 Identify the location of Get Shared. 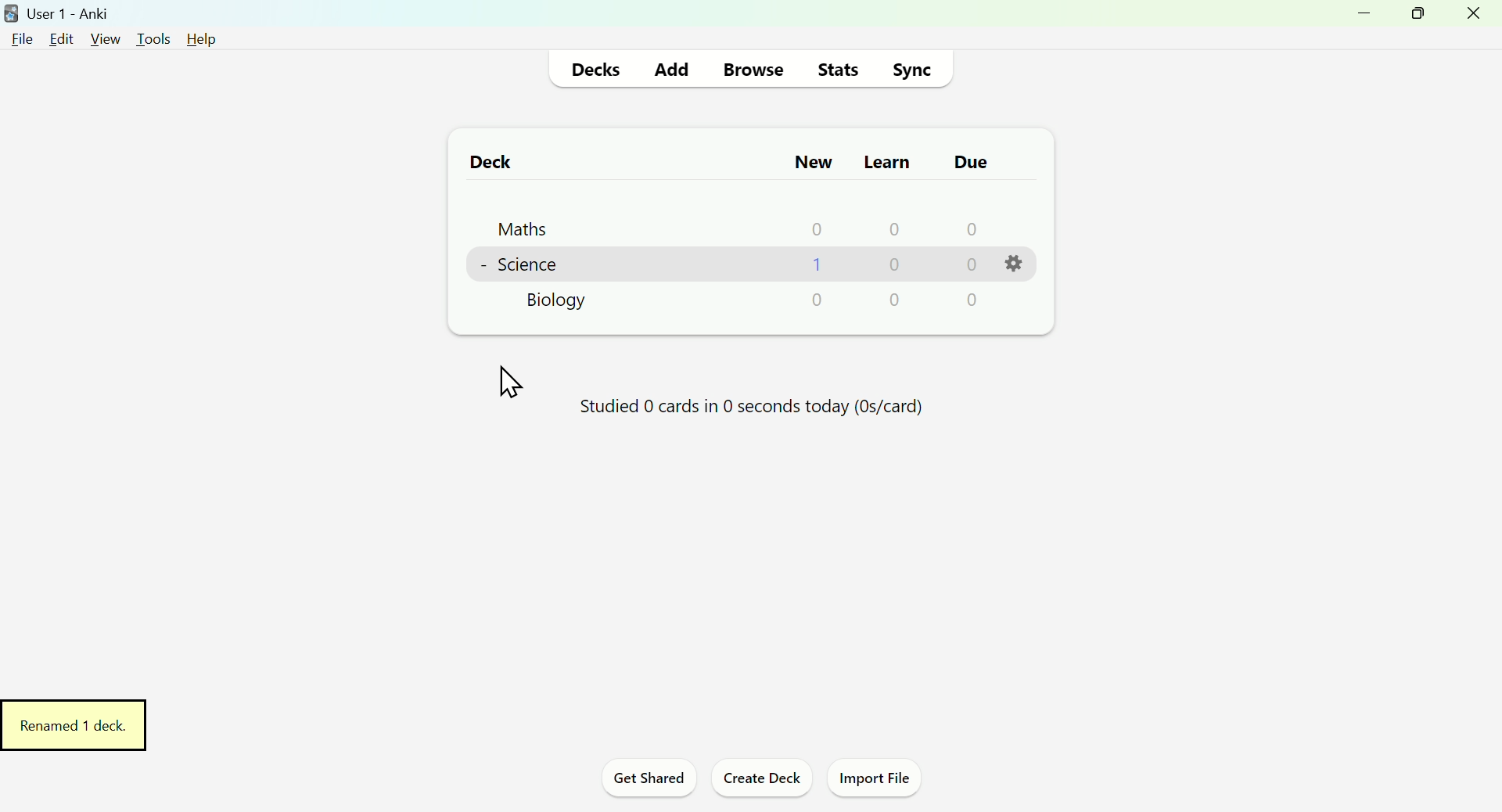
(643, 781).